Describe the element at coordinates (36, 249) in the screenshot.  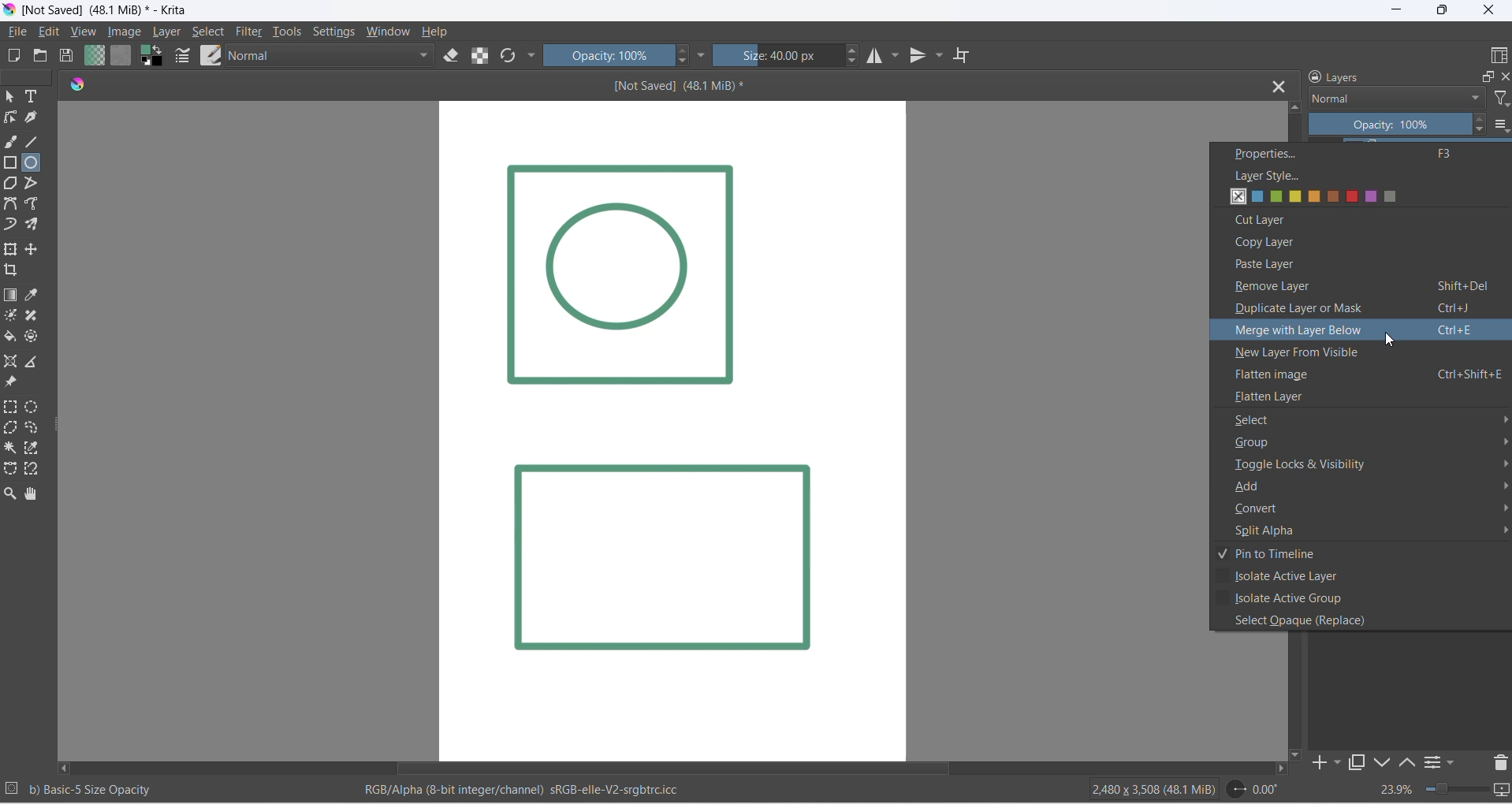
I see `move a layer` at that location.